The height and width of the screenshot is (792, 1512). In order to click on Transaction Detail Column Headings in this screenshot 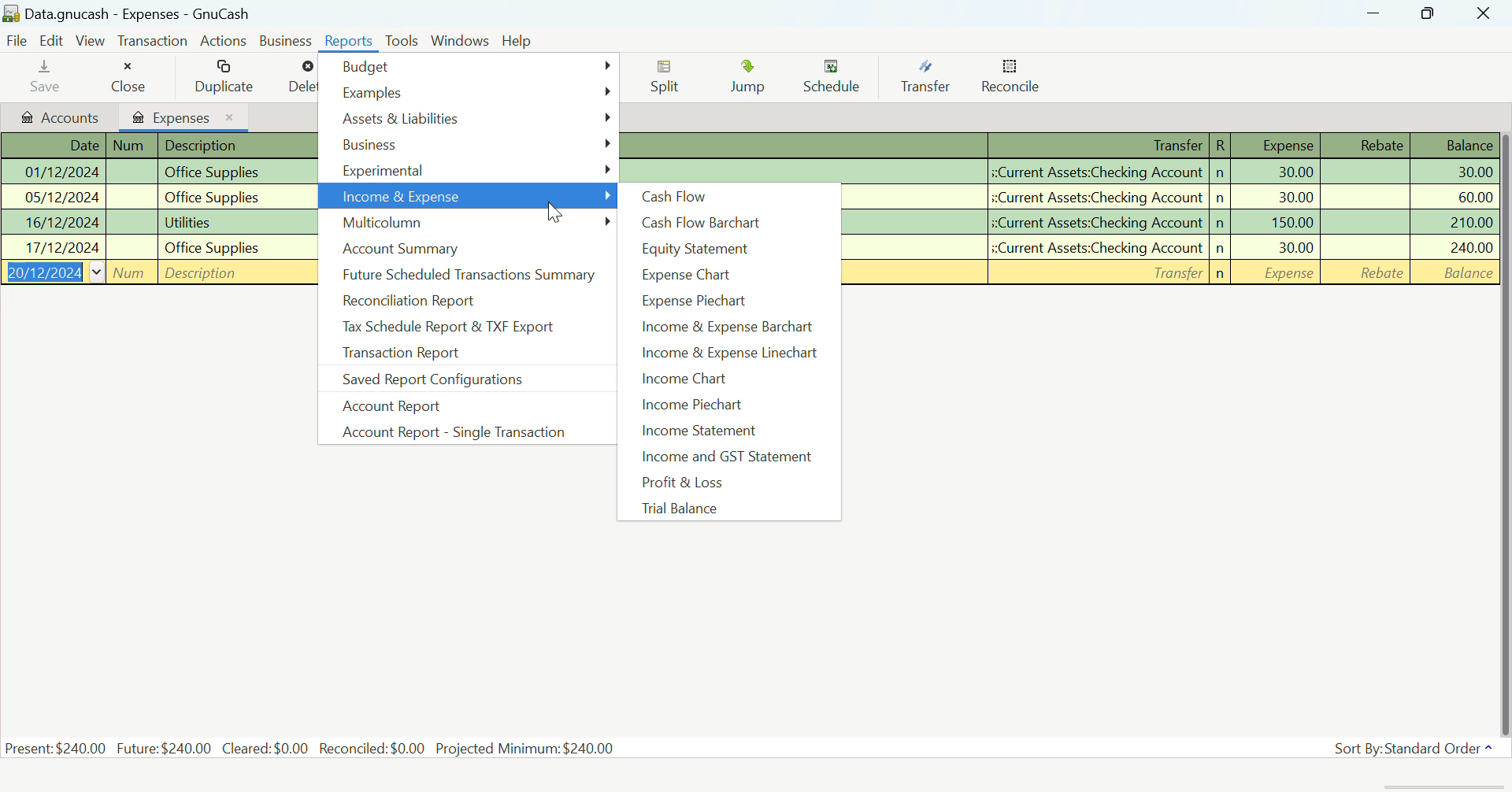, I will do `click(156, 146)`.